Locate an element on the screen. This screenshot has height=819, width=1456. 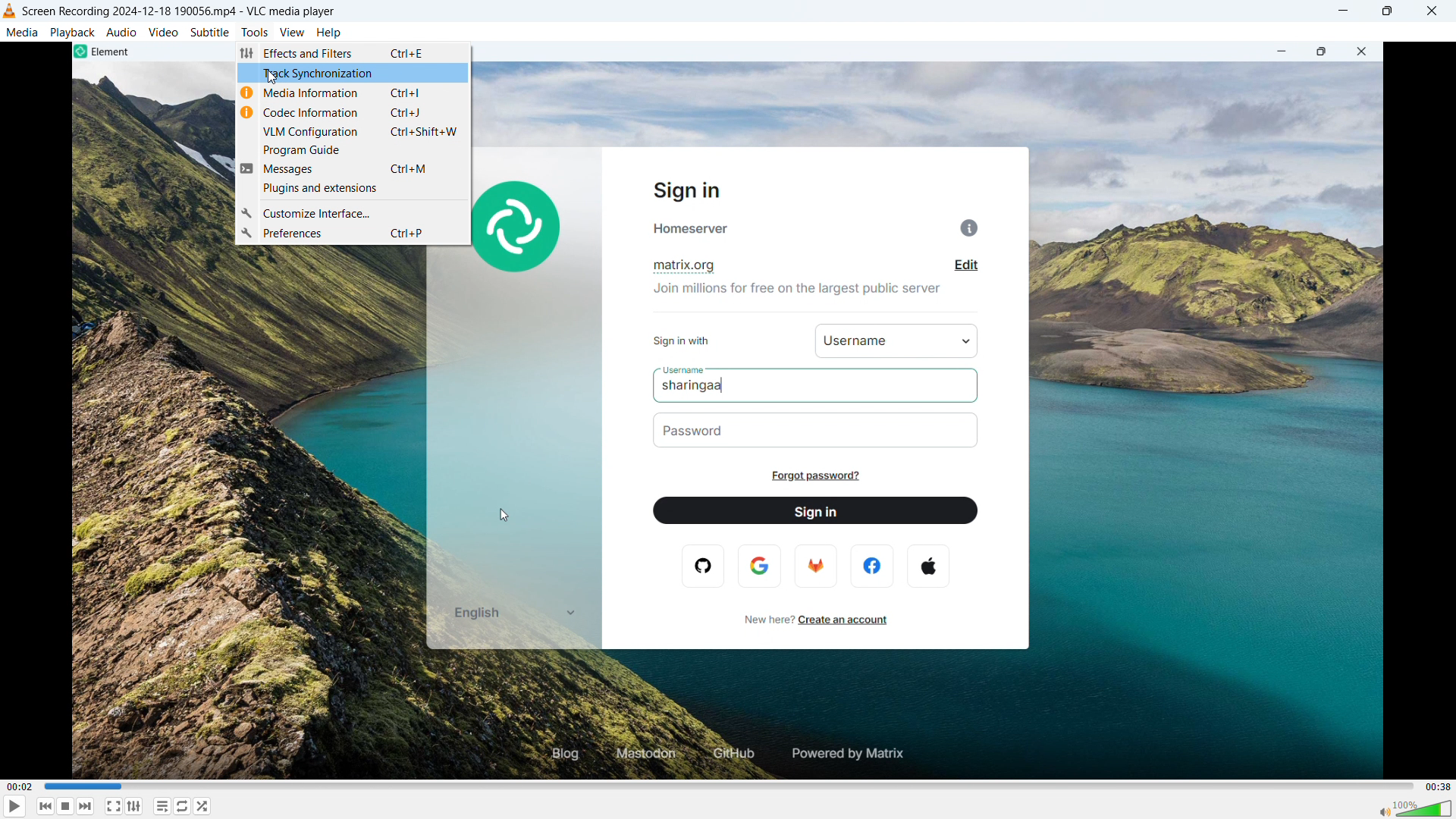
element logo is located at coordinates (79, 52).